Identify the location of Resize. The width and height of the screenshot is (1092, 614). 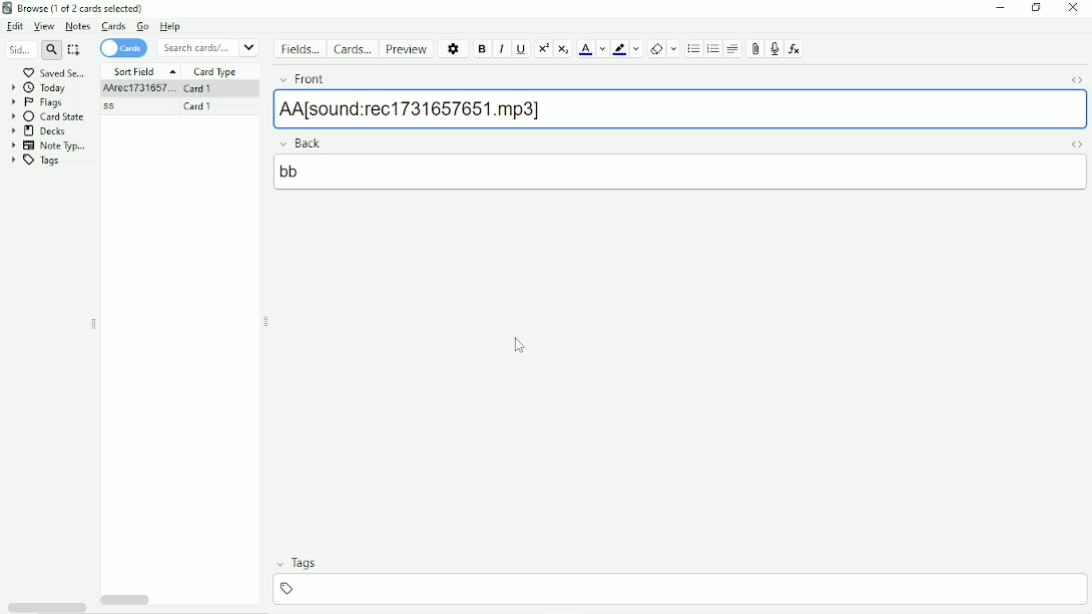
(94, 325).